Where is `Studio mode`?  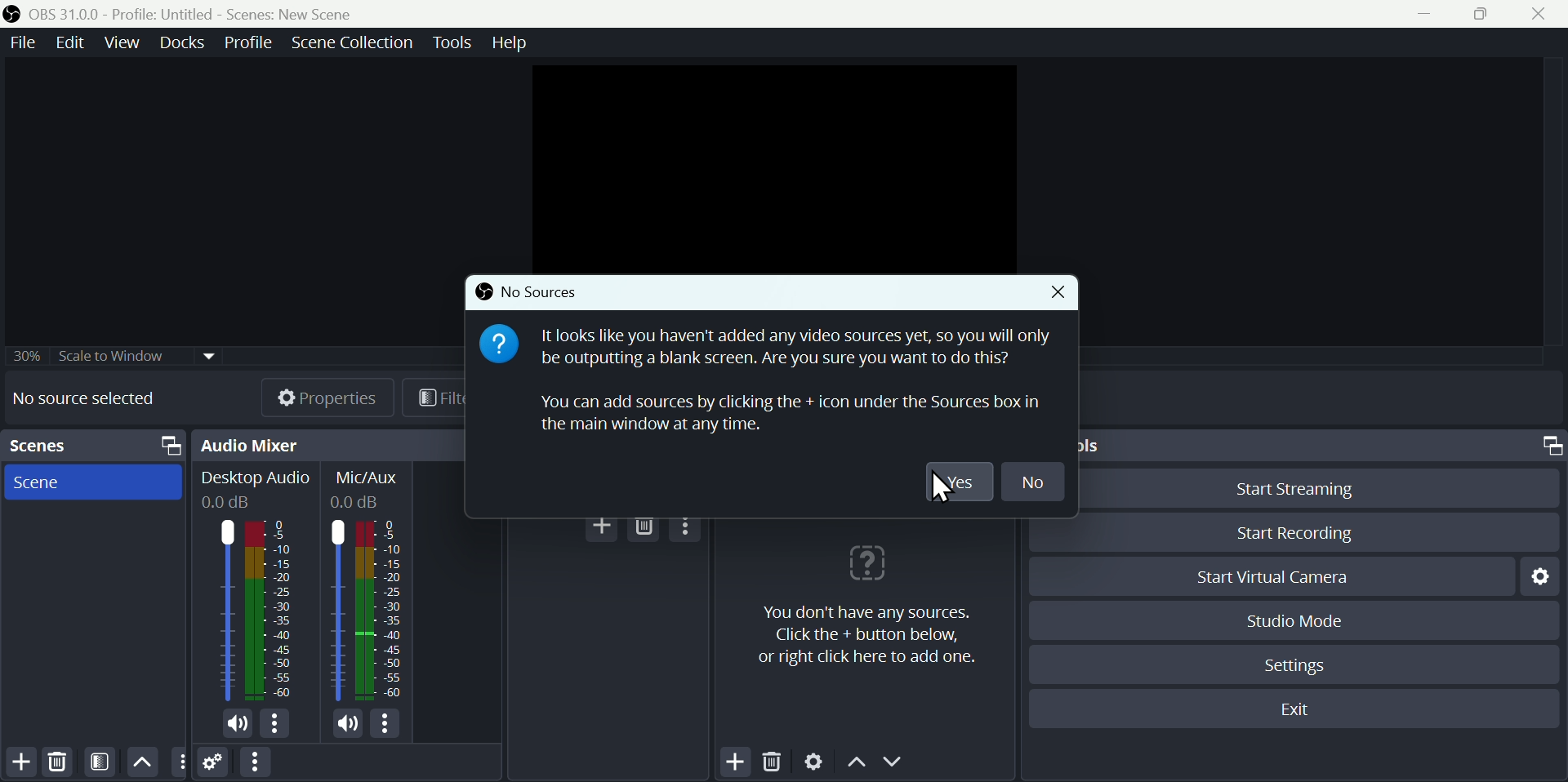
Studio mode is located at coordinates (1296, 618).